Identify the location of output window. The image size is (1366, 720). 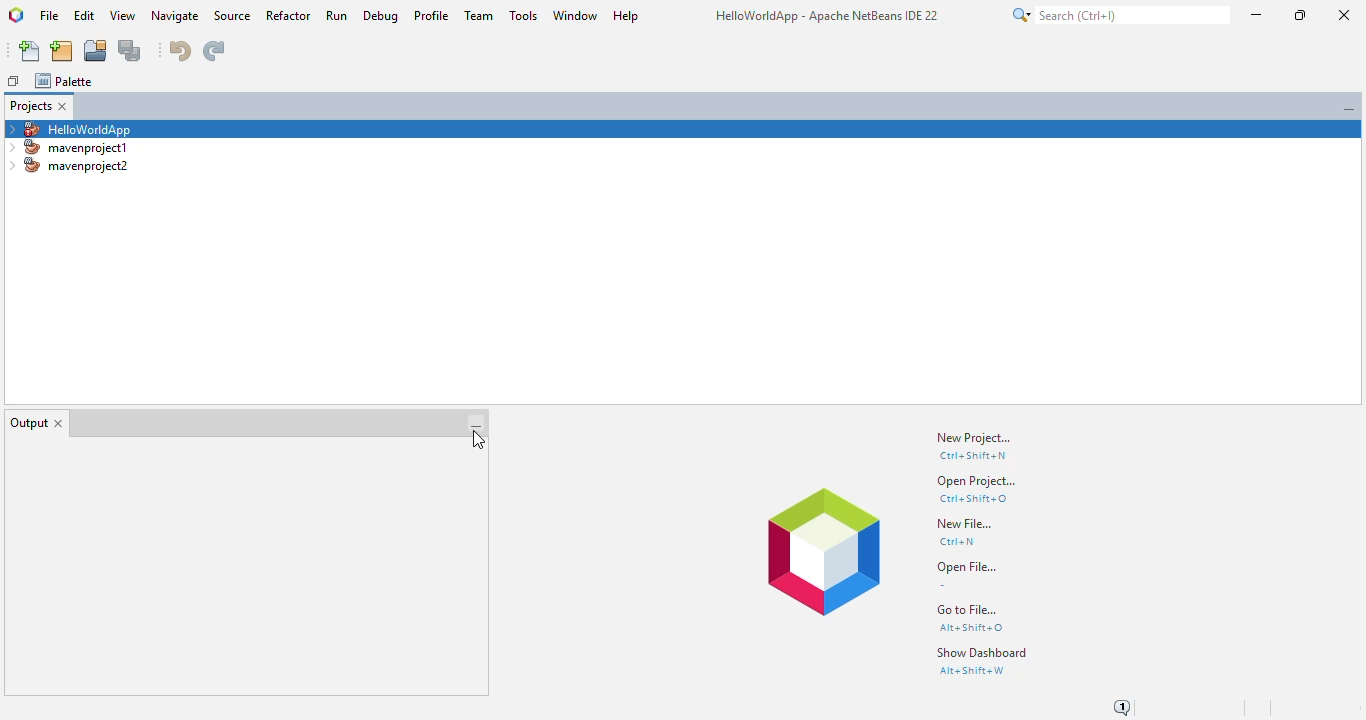
(232, 567).